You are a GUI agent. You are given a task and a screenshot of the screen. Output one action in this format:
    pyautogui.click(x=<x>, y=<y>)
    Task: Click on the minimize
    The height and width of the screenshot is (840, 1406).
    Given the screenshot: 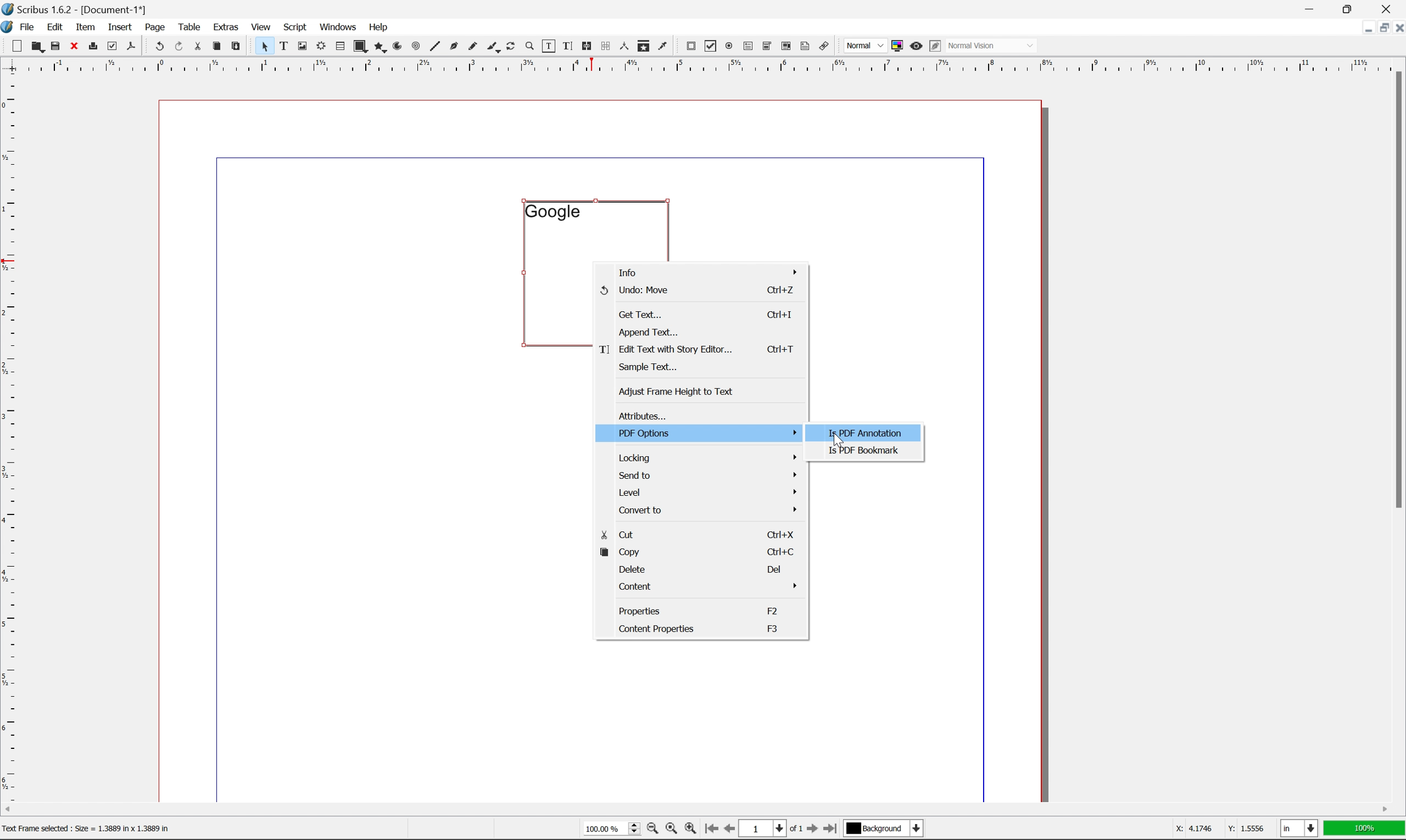 What is the action you would take?
    pyautogui.click(x=1361, y=27)
    